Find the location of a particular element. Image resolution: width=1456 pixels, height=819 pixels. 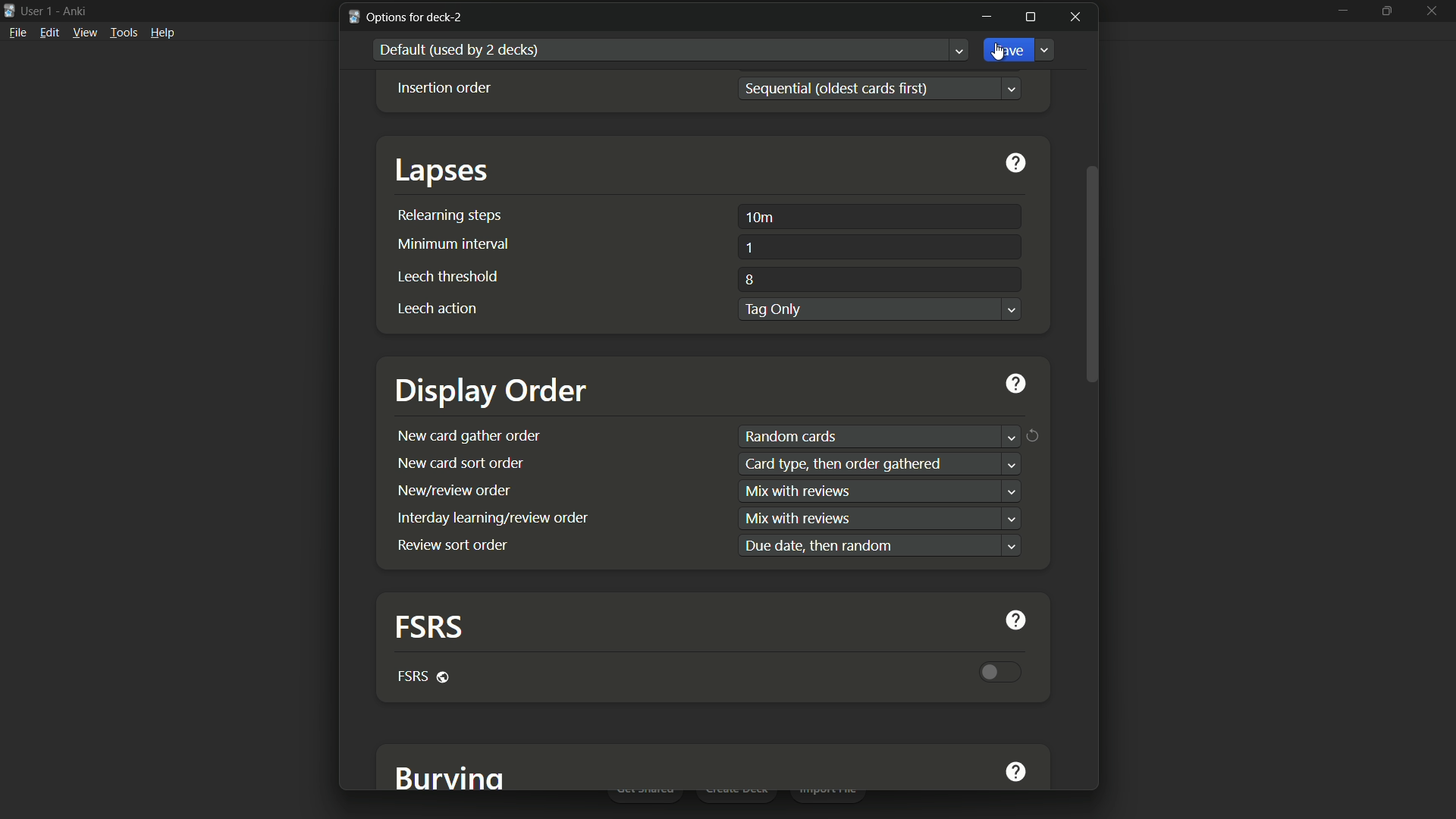

10m is located at coordinates (761, 217).